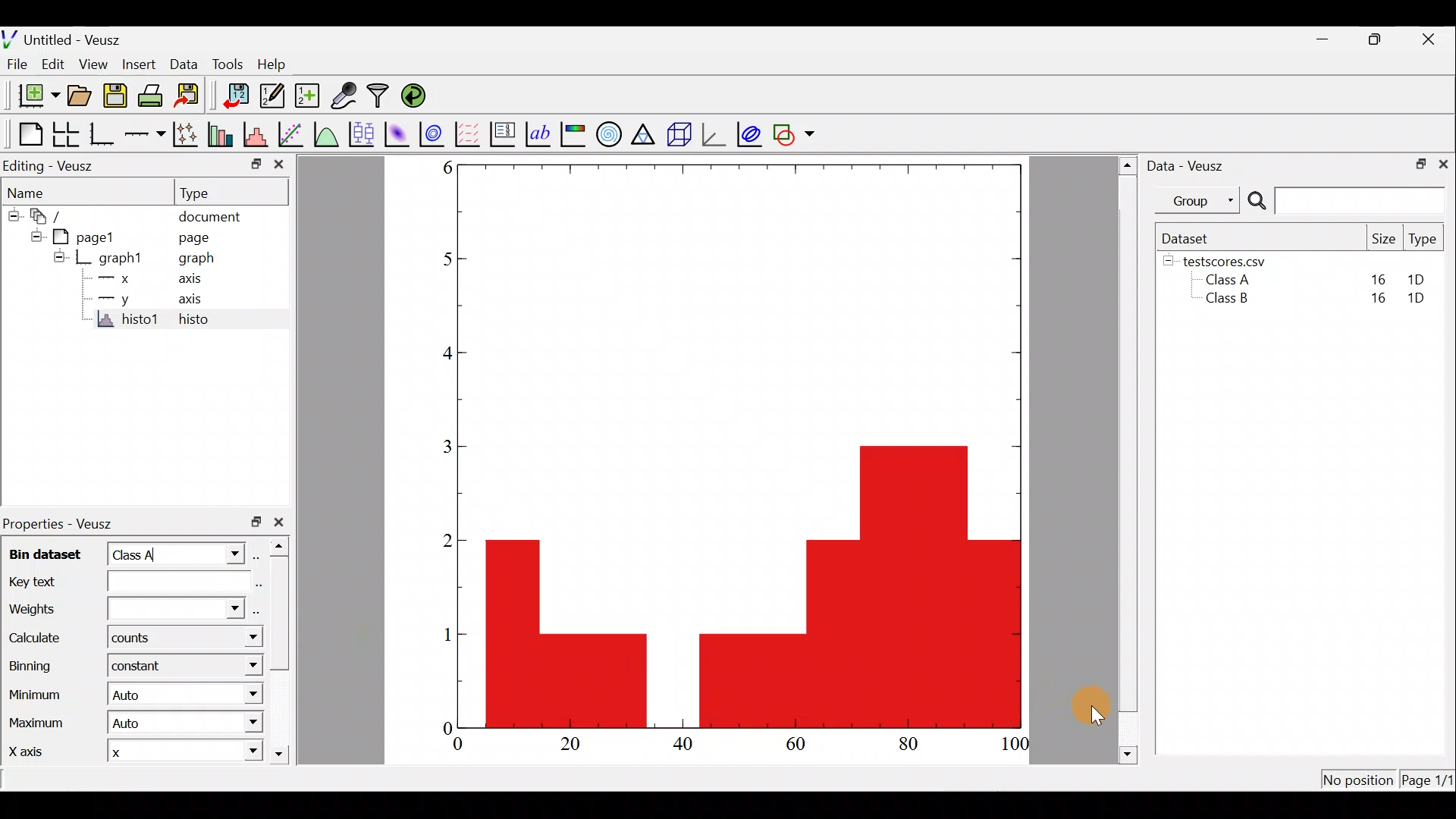  What do you see at coordinates (237, 753) in the screenshot?
I see `X axis dropdown` at bounding box center [237, 753].